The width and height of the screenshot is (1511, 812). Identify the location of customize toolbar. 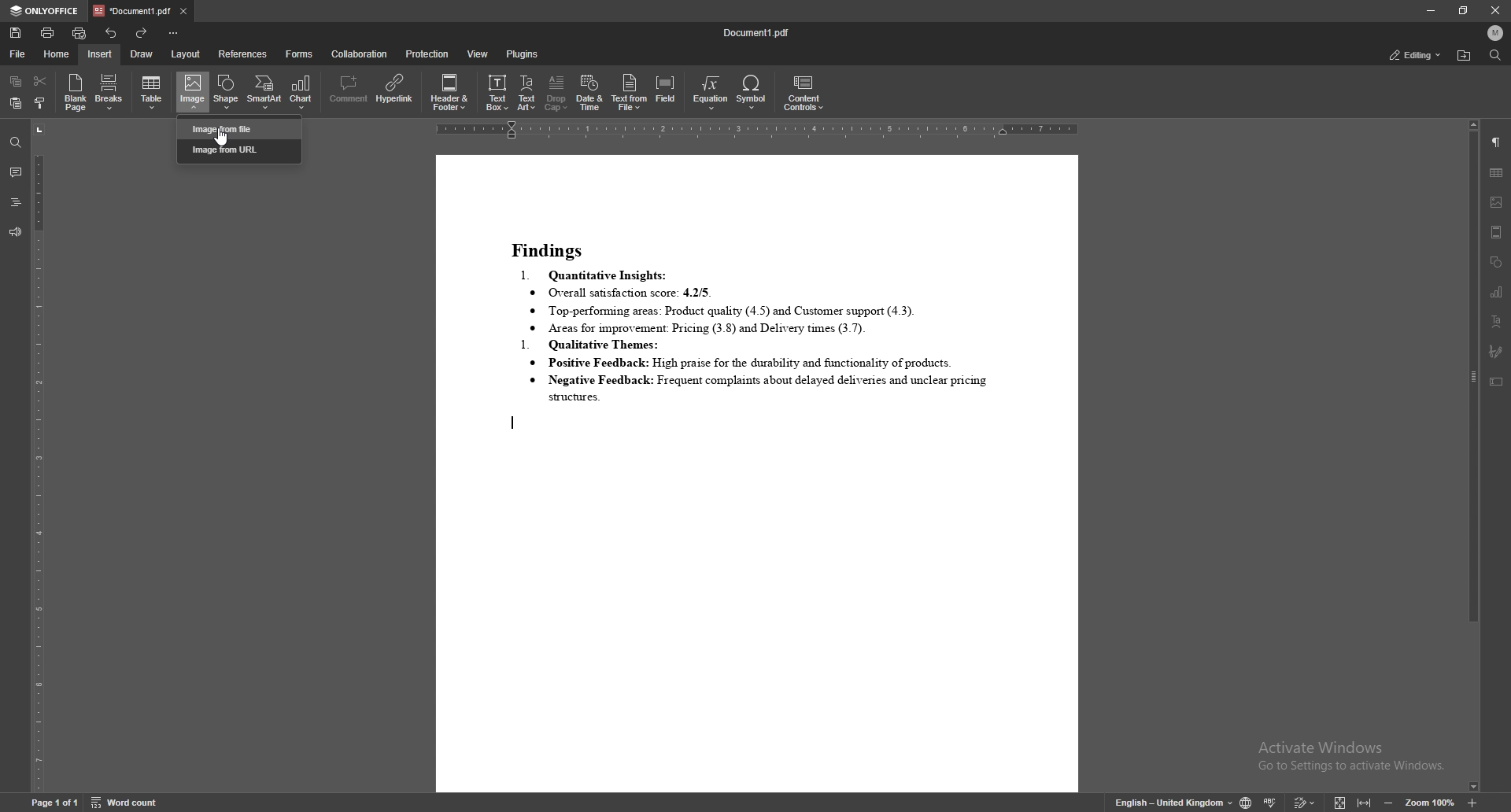
(174, 32).